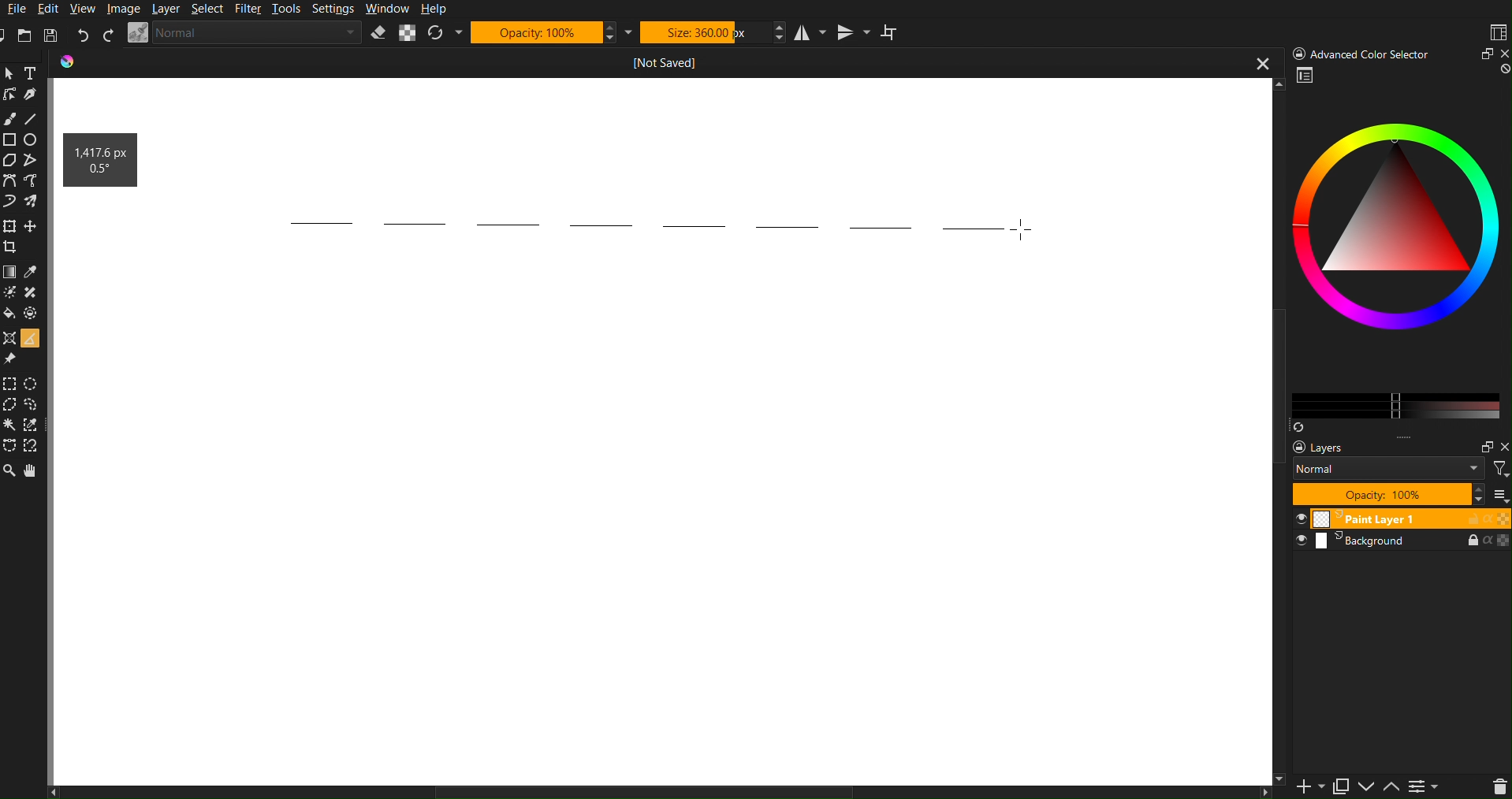 This screenshot has width=1512, height=799. Describe the element at coordinates (1402, 519) in the screenshot. I see `Paint Layer` at that location.